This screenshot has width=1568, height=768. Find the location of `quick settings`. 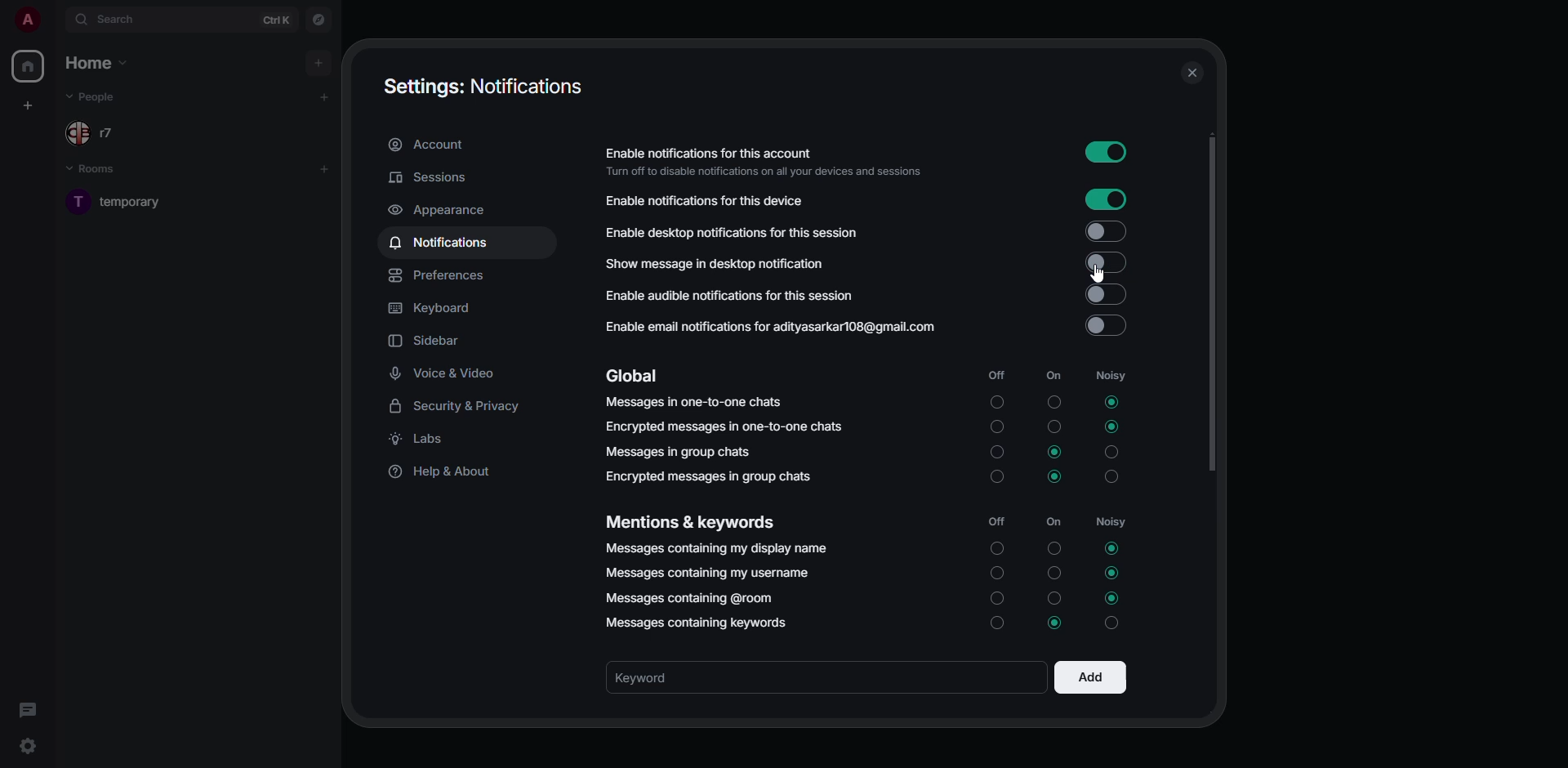

quick settings is located at coordinates (29, 746).